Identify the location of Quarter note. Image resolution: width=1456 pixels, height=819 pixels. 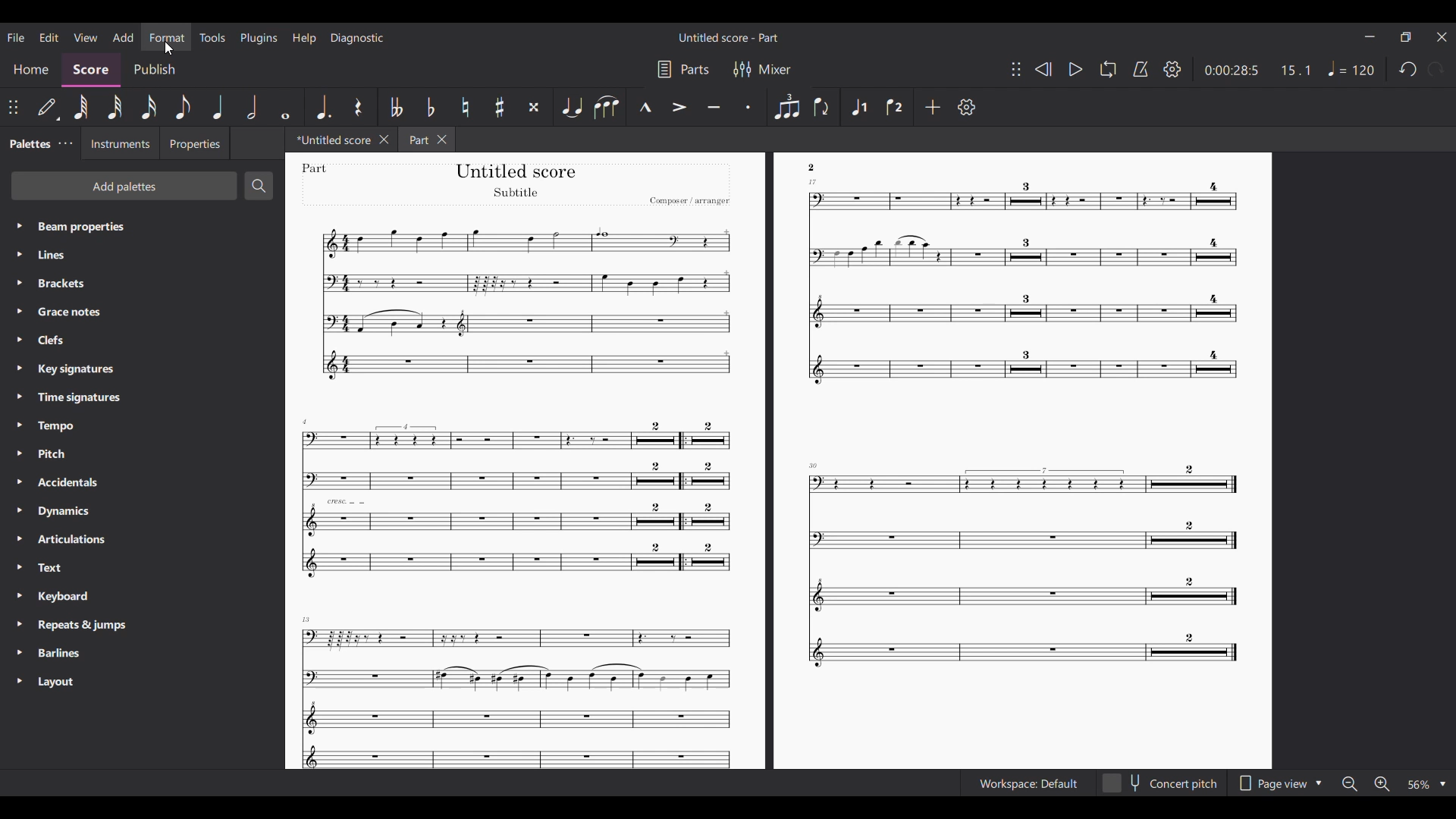
(218, 106).